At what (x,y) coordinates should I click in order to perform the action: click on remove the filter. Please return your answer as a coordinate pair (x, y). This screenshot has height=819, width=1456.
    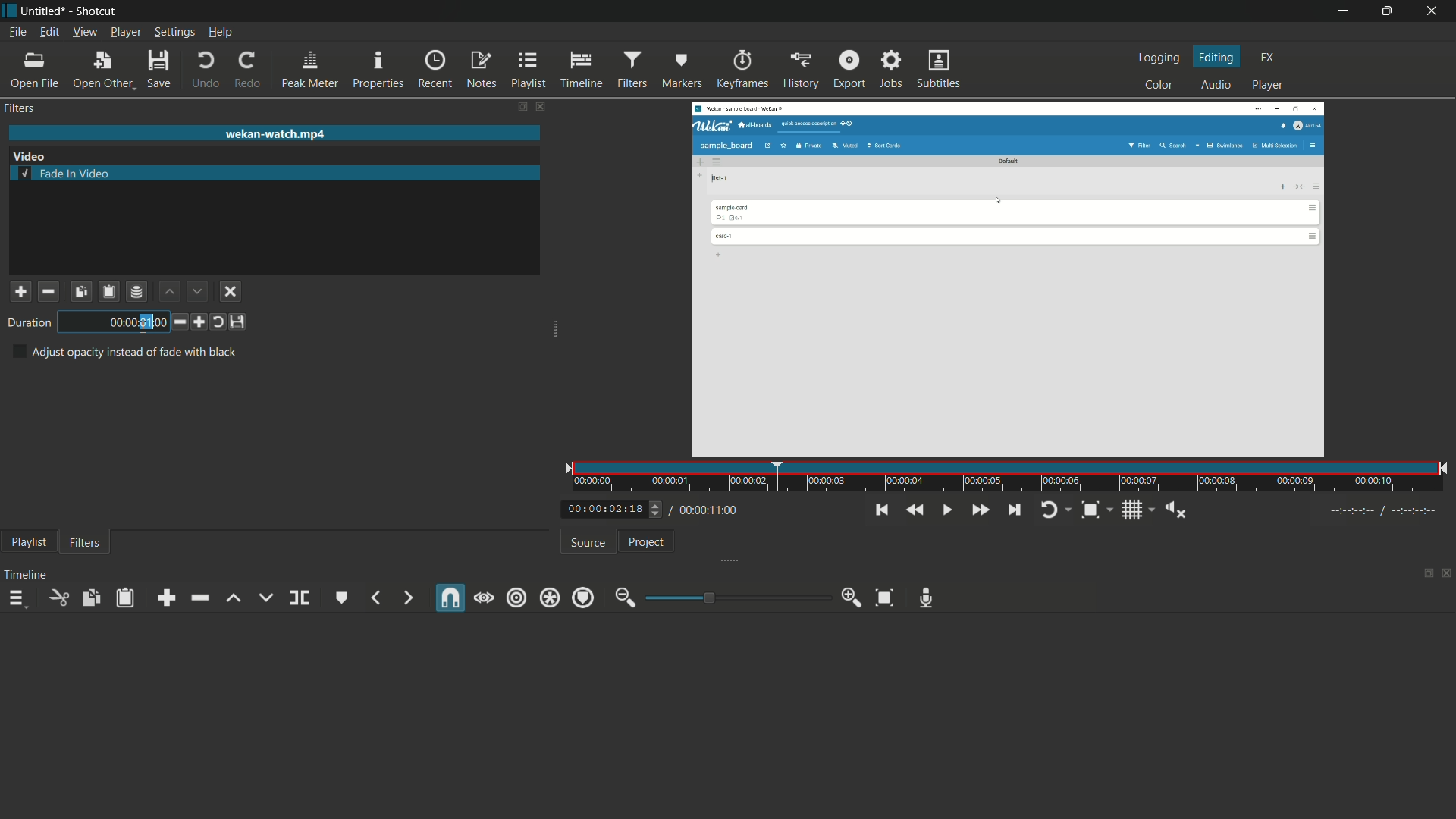
    Looking at the image, I should click on (48, 290).